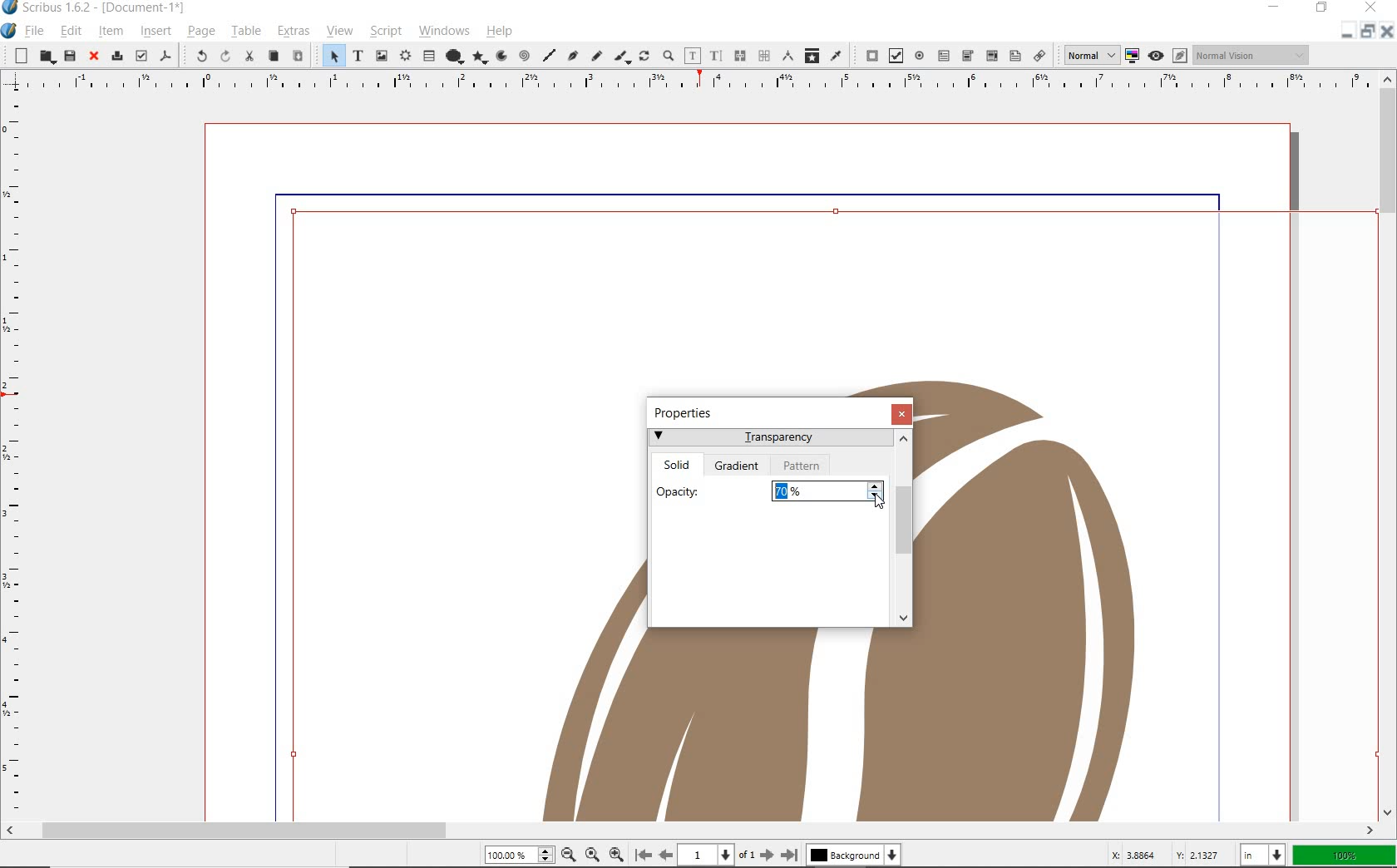  Describe the element at coordinates (500, 31) in the screenshot. I see `help` at that location.